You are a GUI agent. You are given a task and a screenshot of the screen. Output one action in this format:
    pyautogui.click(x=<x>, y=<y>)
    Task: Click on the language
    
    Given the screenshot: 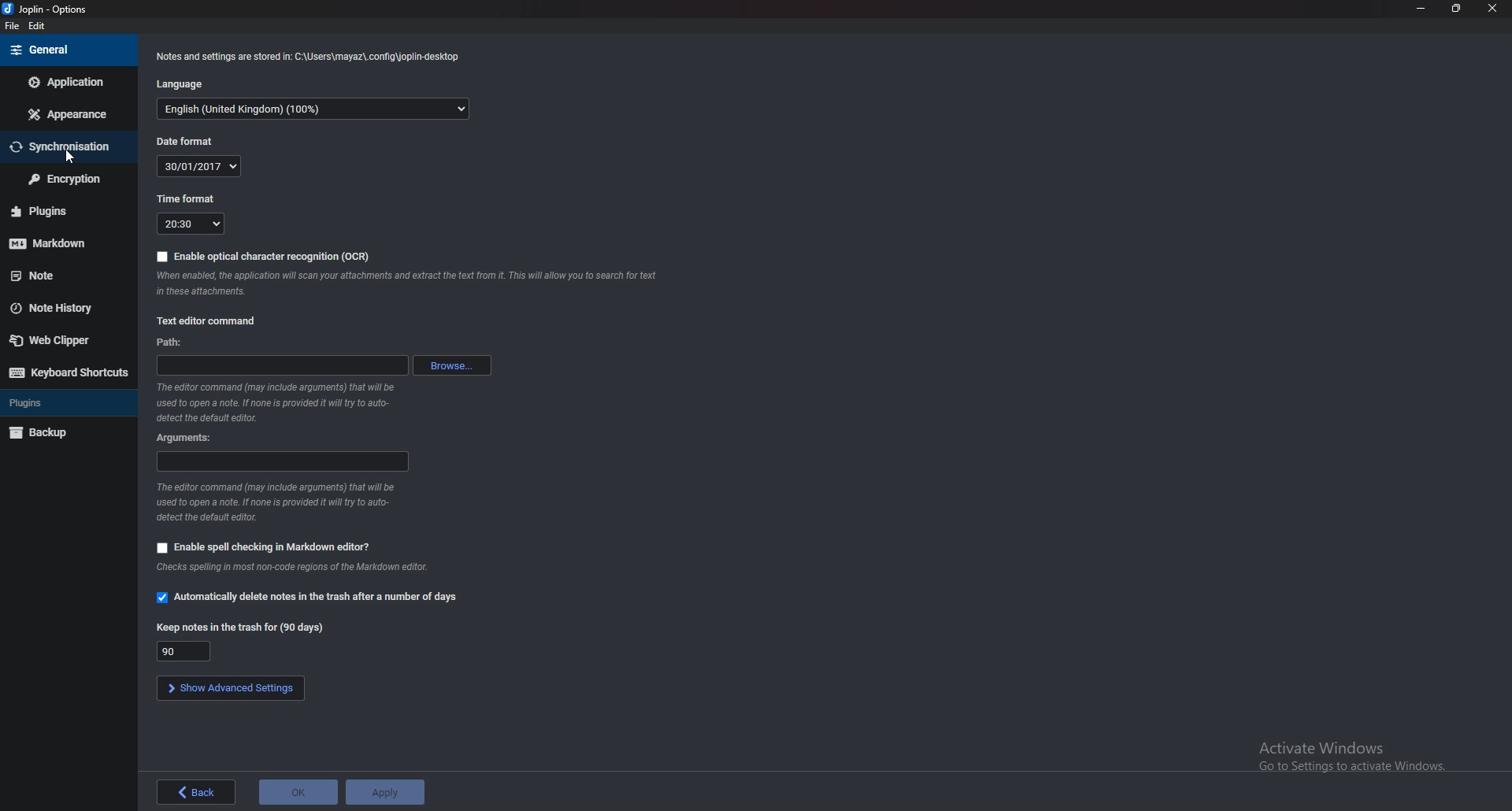 What is the action you would take?
    pyautogui.click(x=313, y=108)
    